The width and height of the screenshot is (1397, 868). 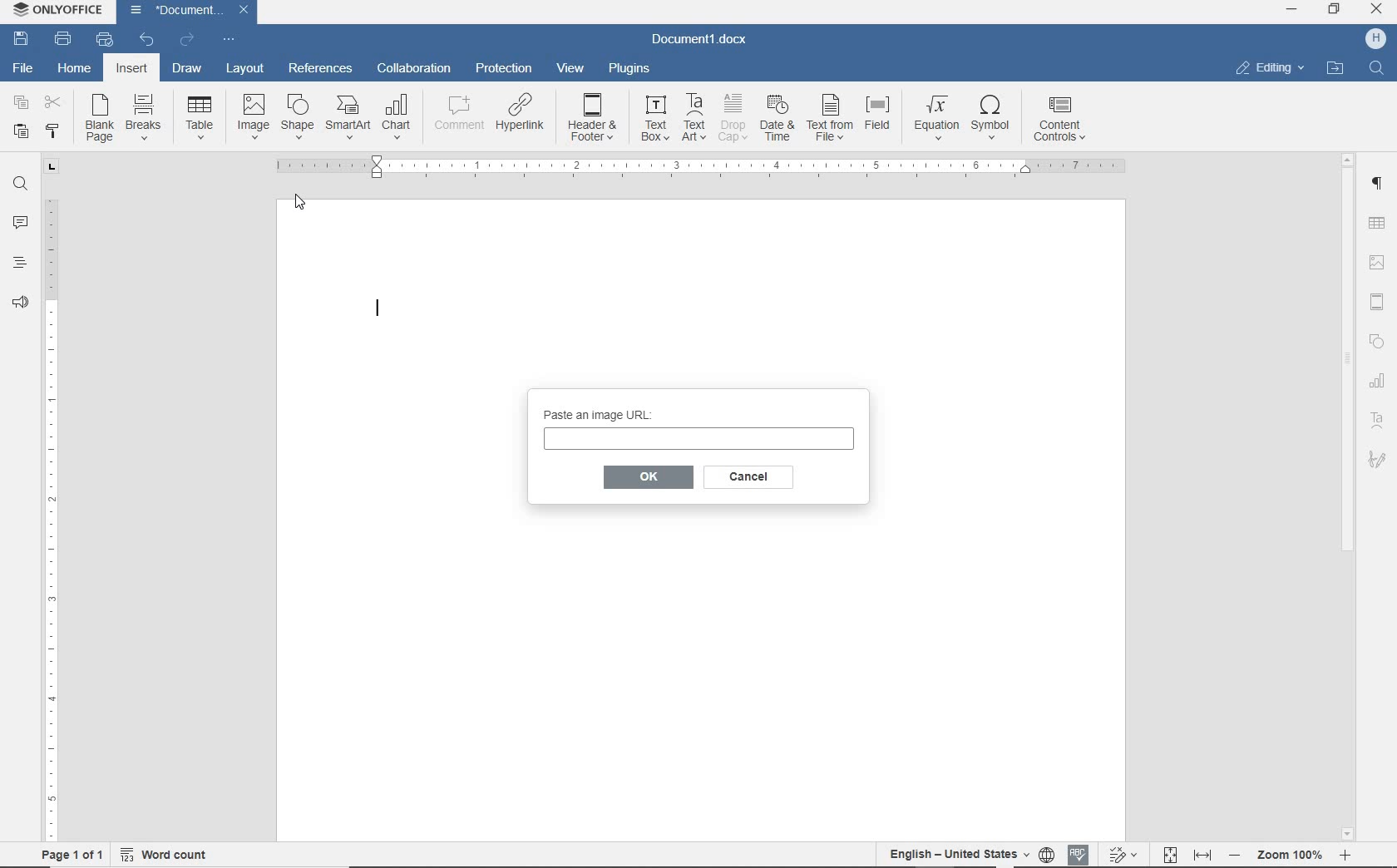 I want to click on print, so click(x=62, y=40).